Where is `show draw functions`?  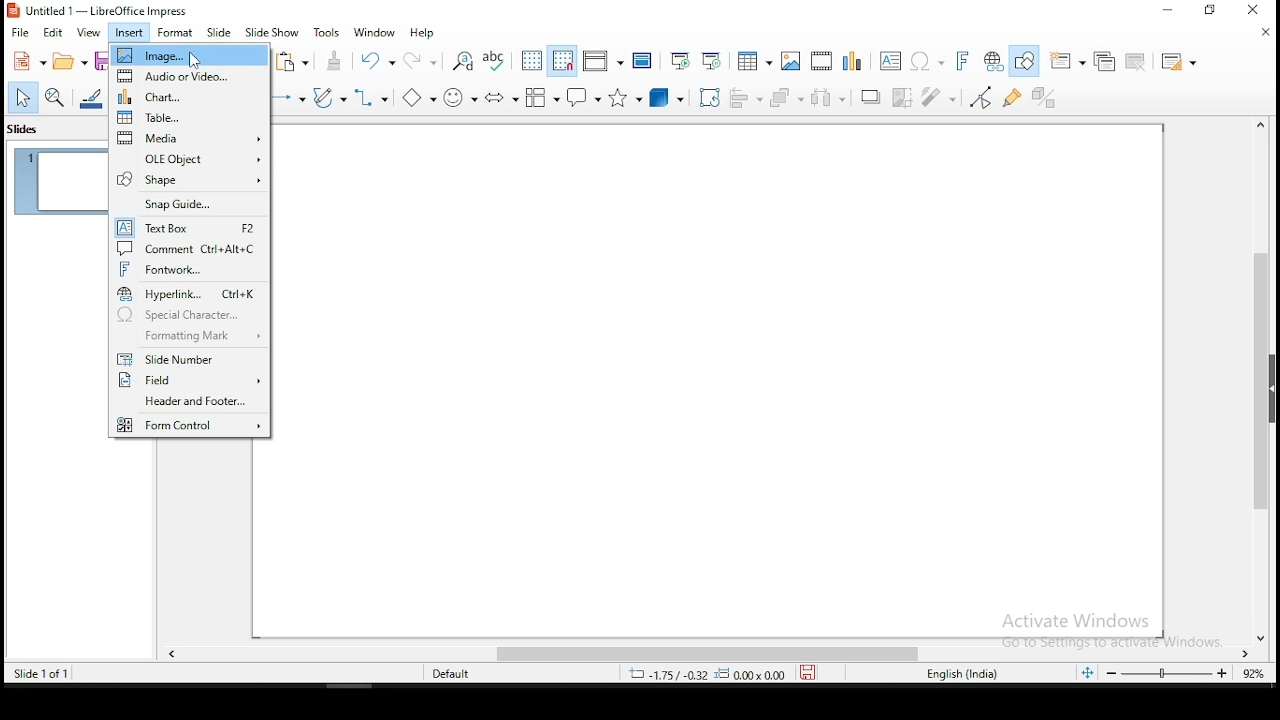 show draw functions is located at coordinates (1028, 62).